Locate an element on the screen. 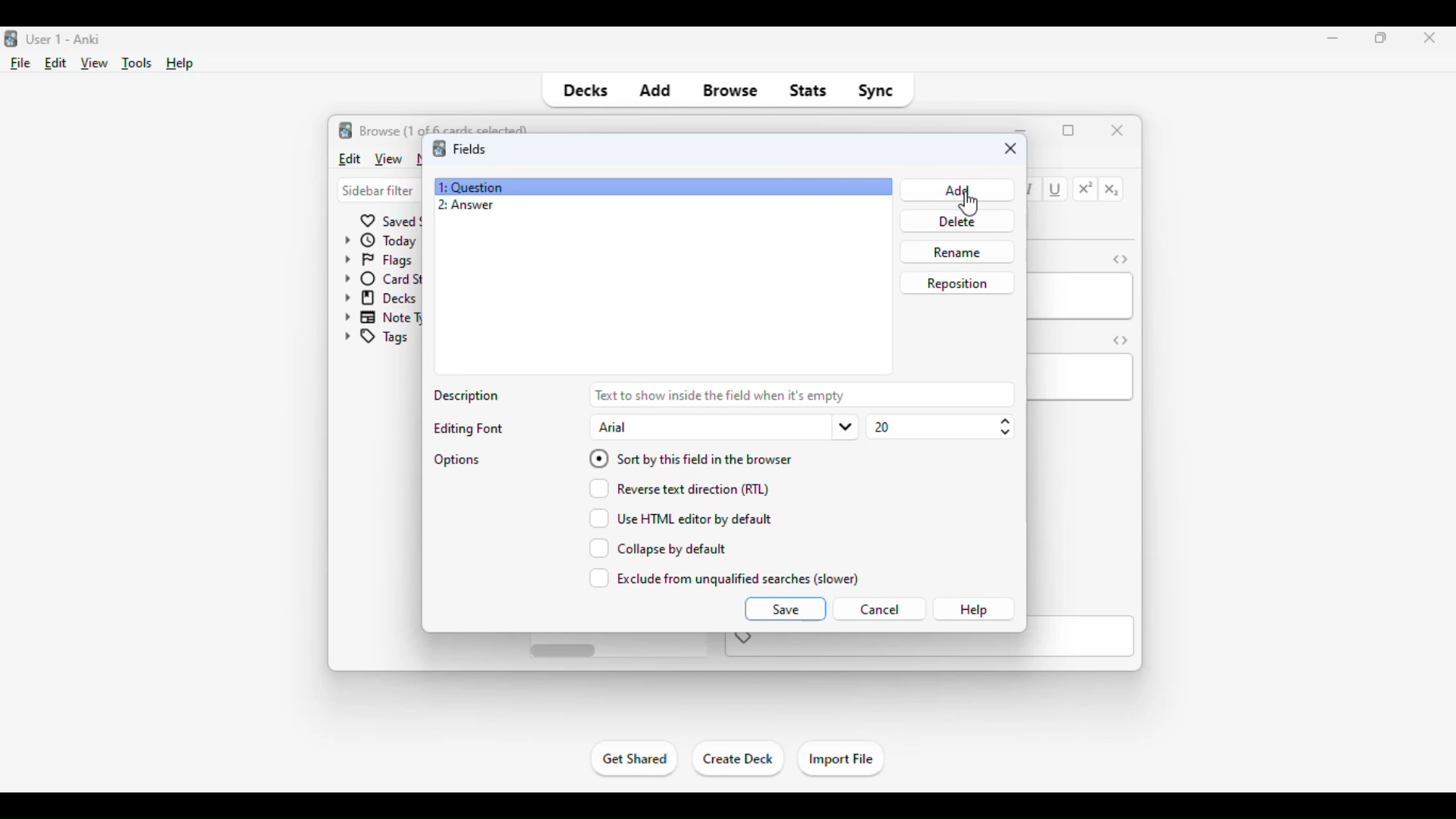 This screenshot has width=1456, height=819. 20 is located at coordinates (940, 427).